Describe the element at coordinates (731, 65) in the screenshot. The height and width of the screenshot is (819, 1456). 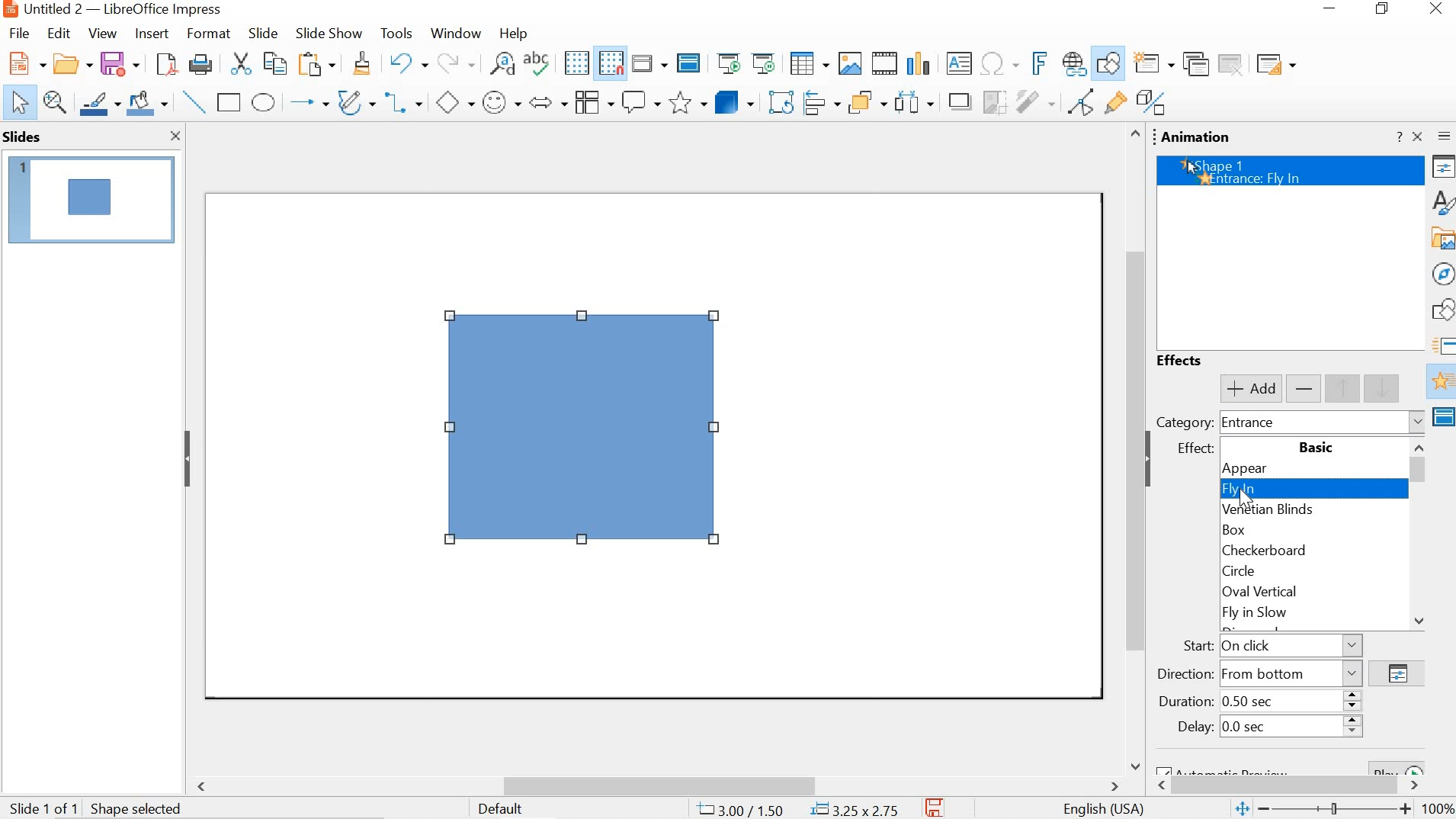
I see `start from first slide` at that location.